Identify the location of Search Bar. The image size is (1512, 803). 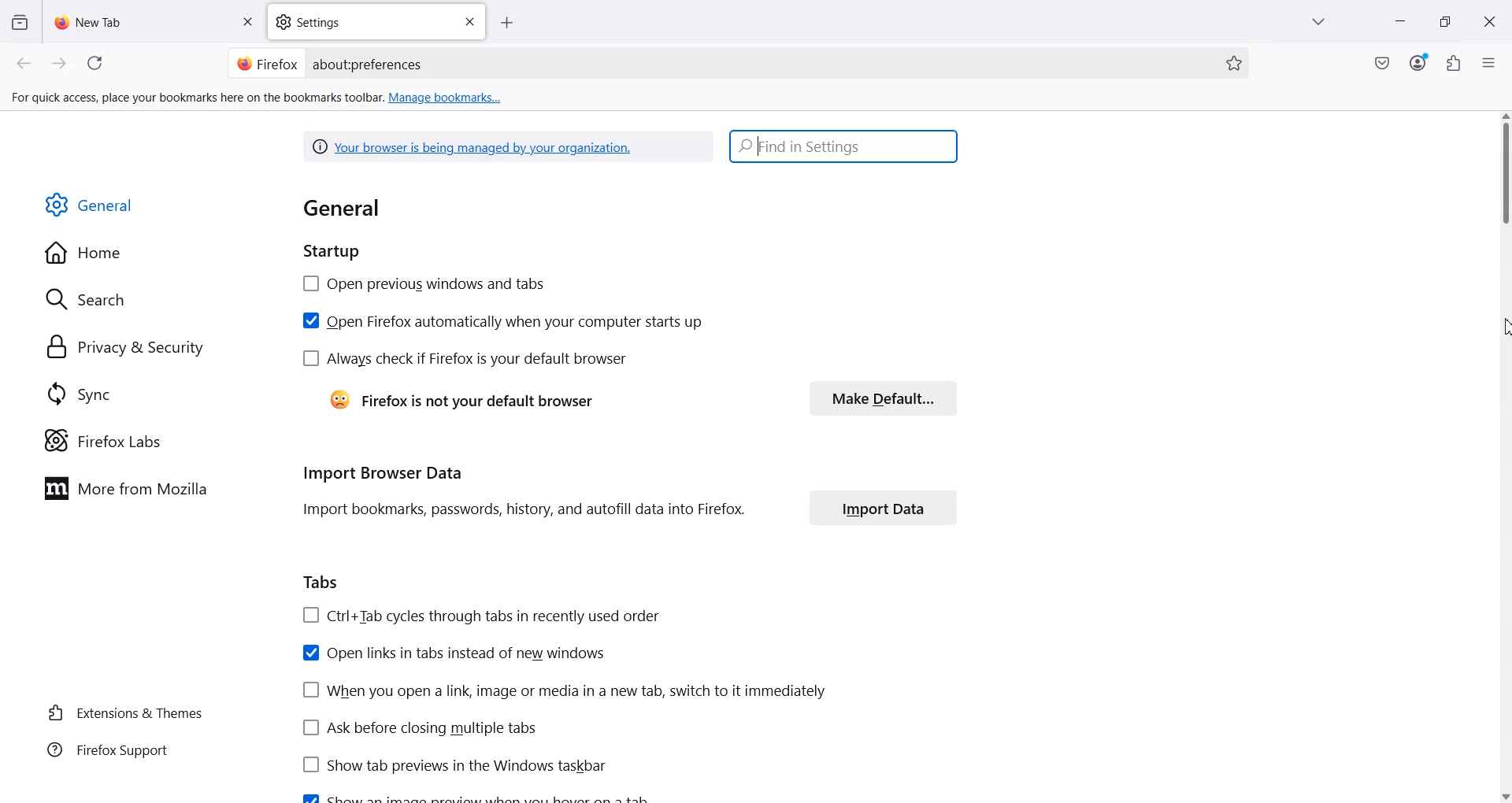
(736, 63).